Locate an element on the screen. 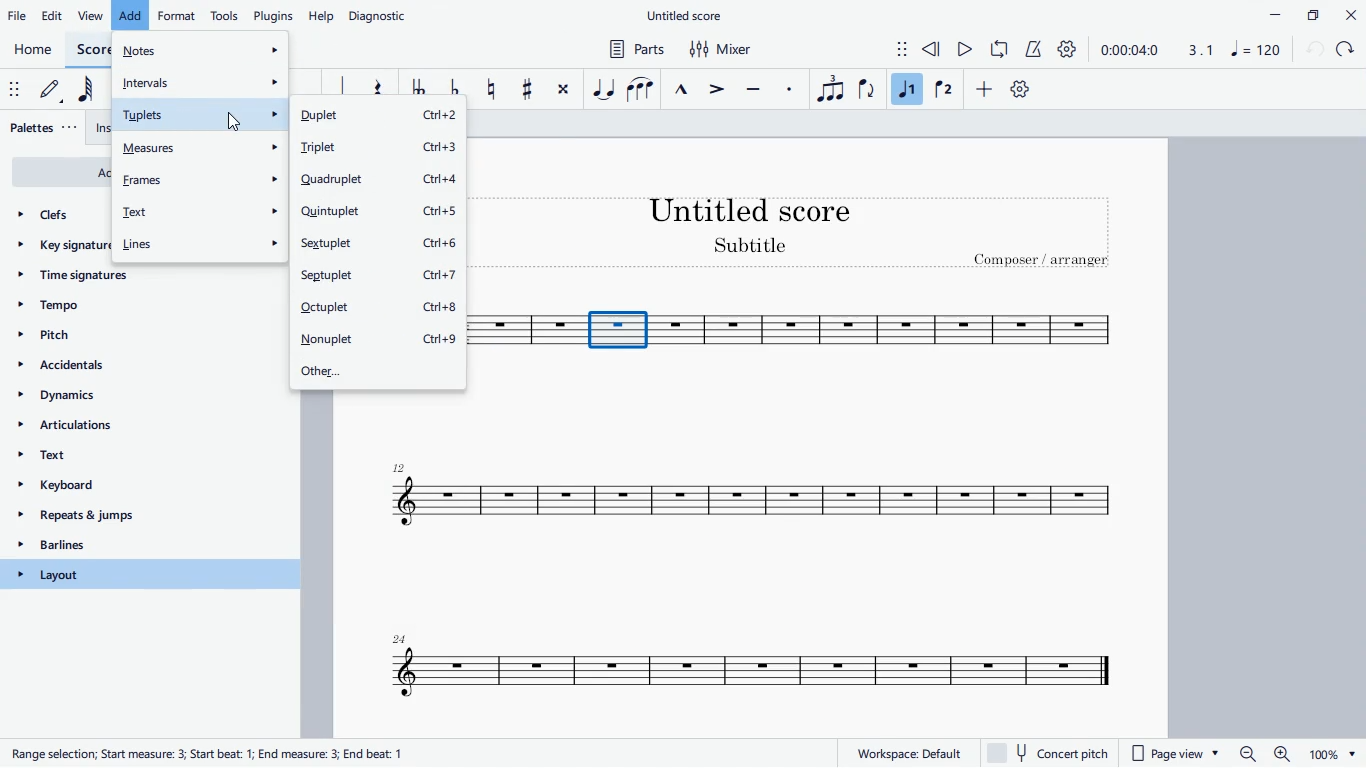  voice 1 is located at coordinates (907, 89).